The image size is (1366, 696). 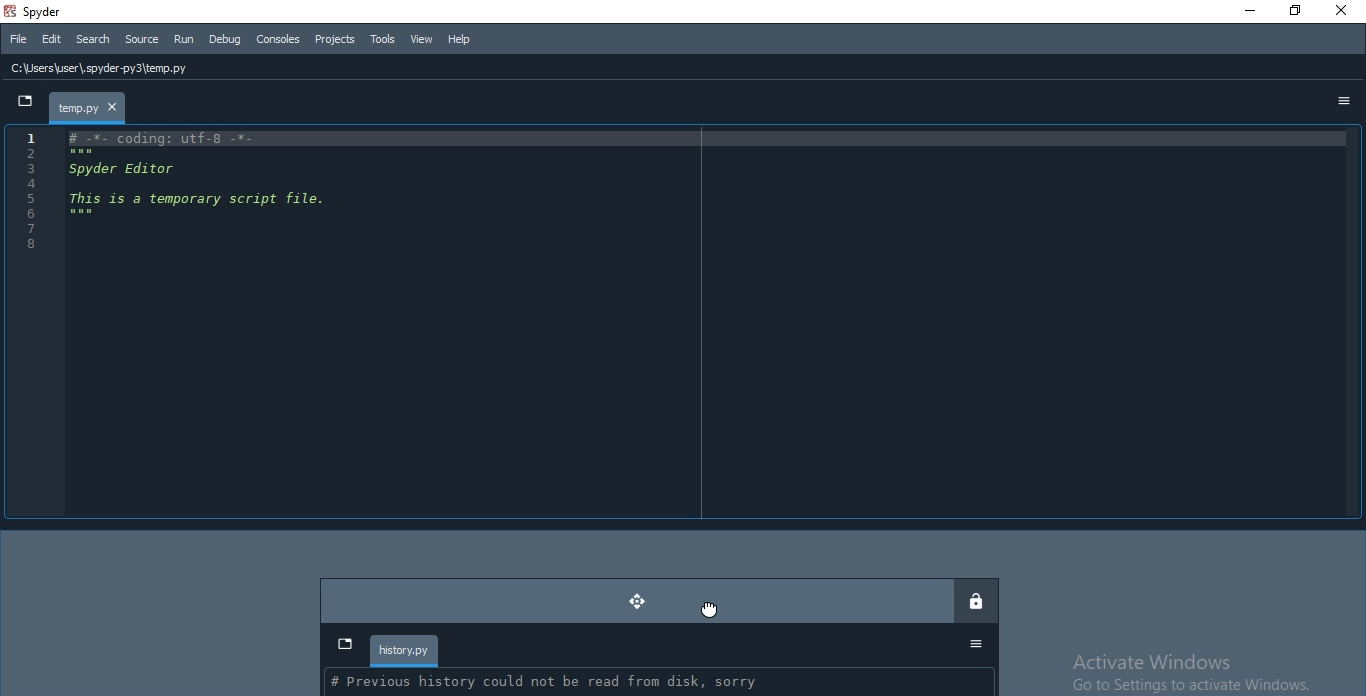 I want to click on Options, so click(x=973, y=646).